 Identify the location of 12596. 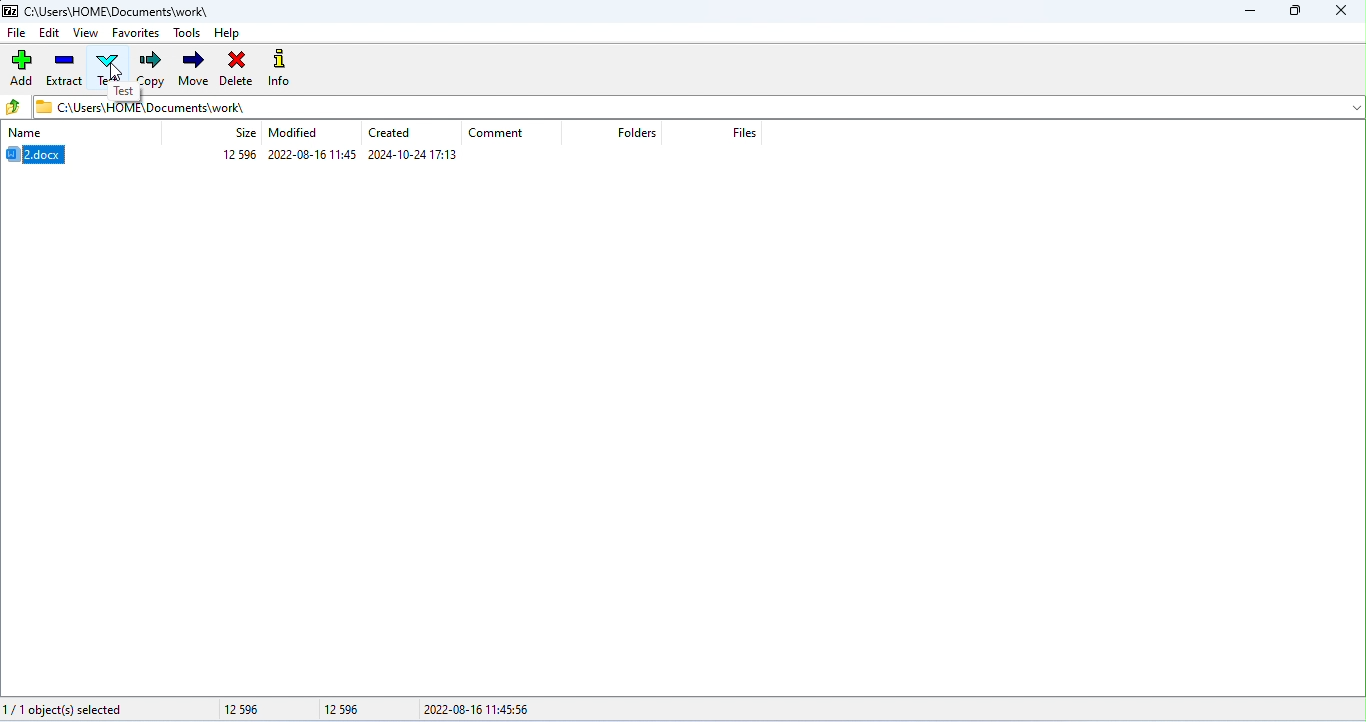
(346, 710).